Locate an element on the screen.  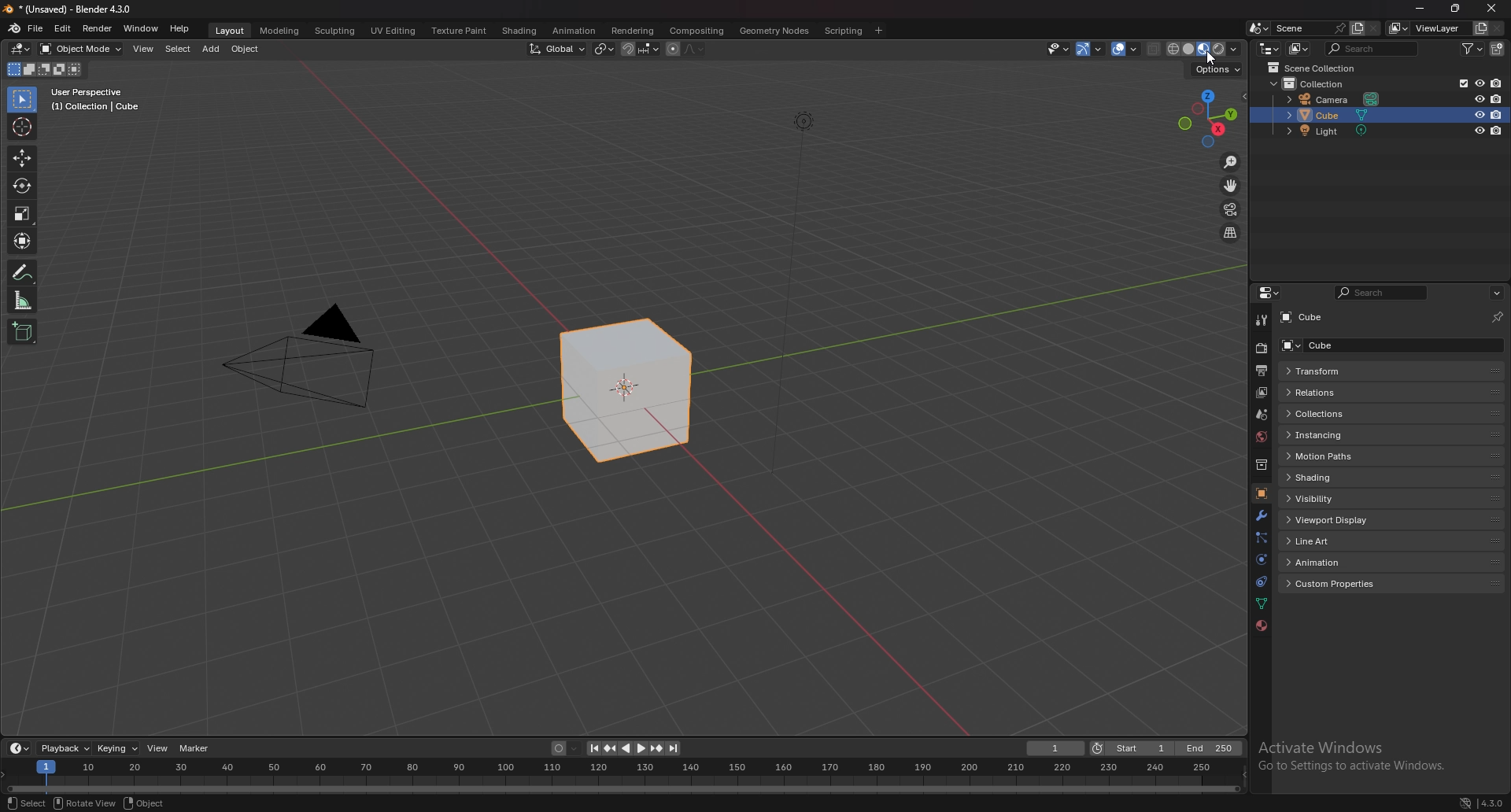
marker is located at coordinates (194, 748).